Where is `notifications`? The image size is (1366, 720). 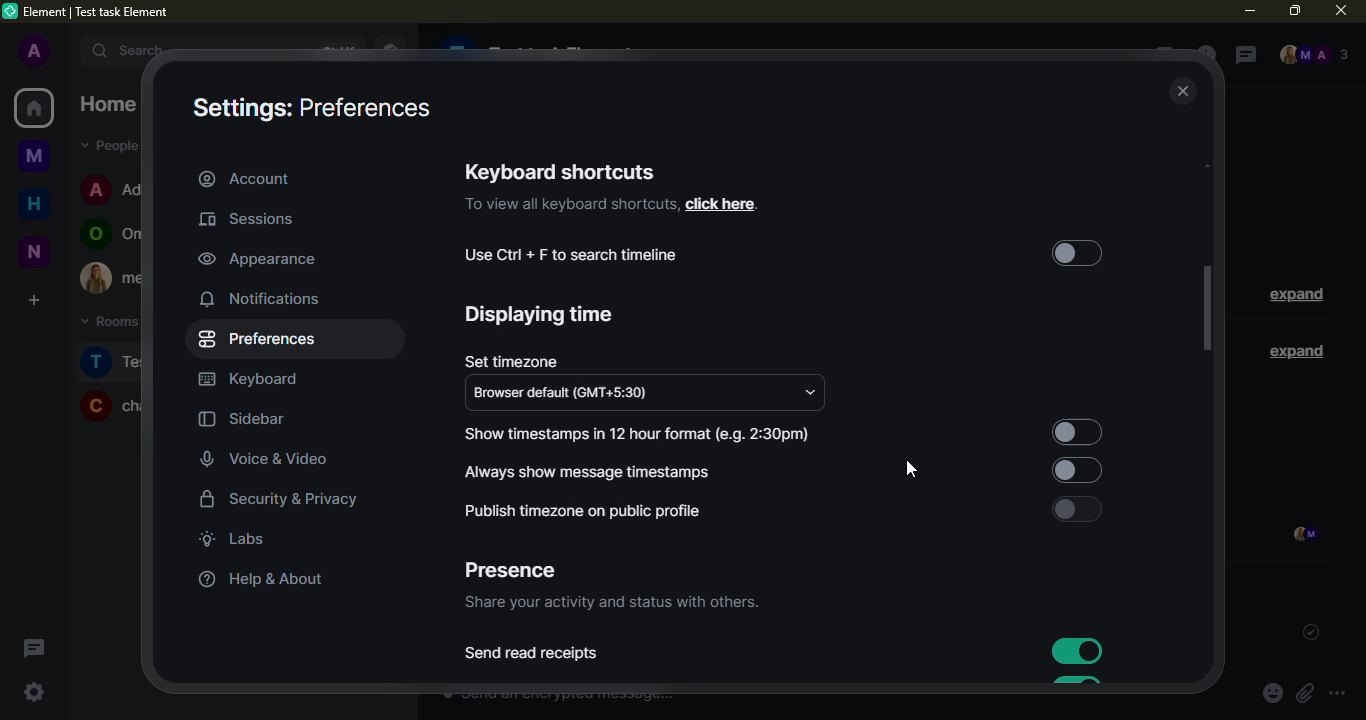 notifications is located at coordinates (262, 298).